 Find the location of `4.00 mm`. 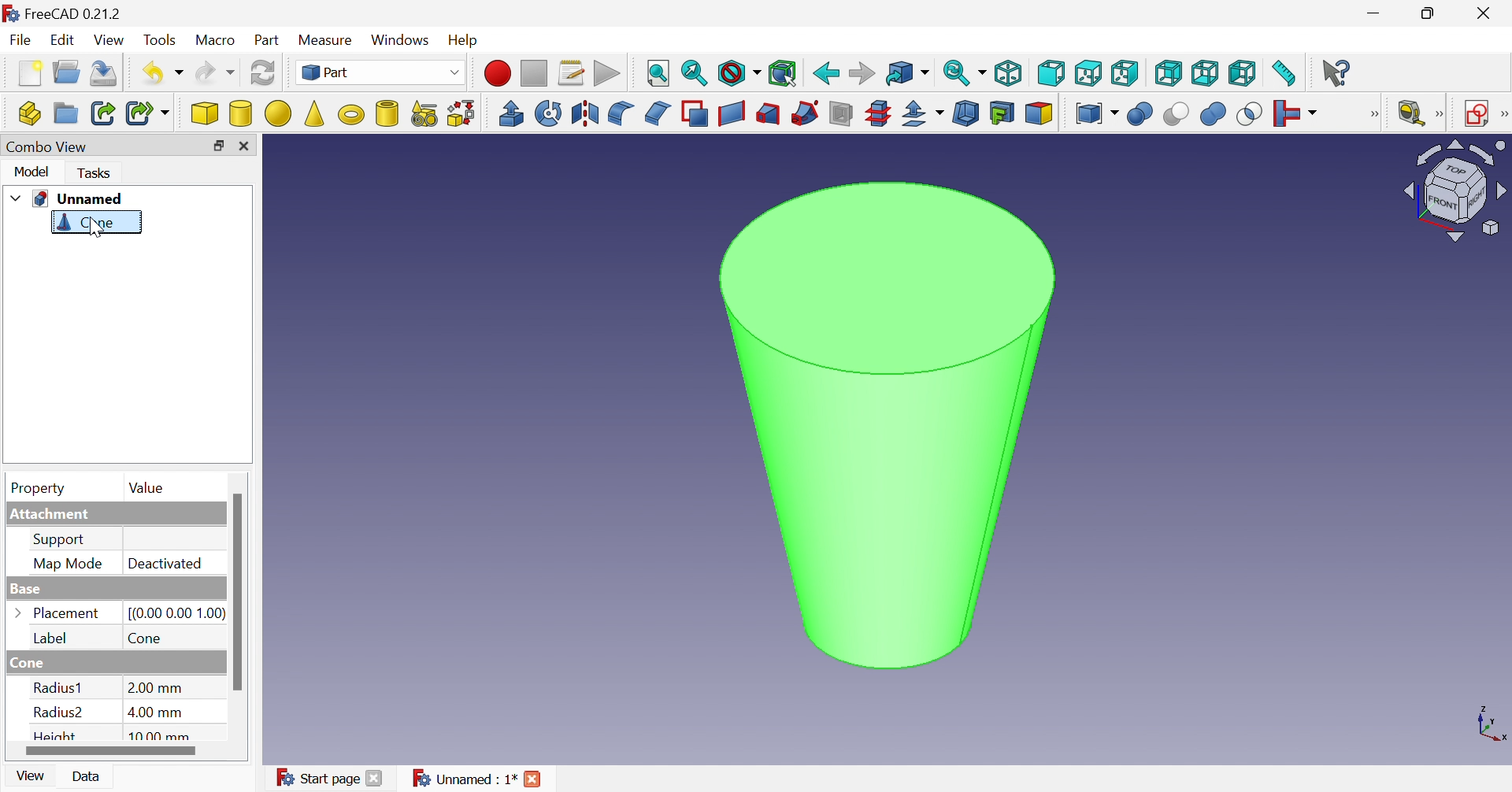

4.00 mm is located at coordinates (154, 711).